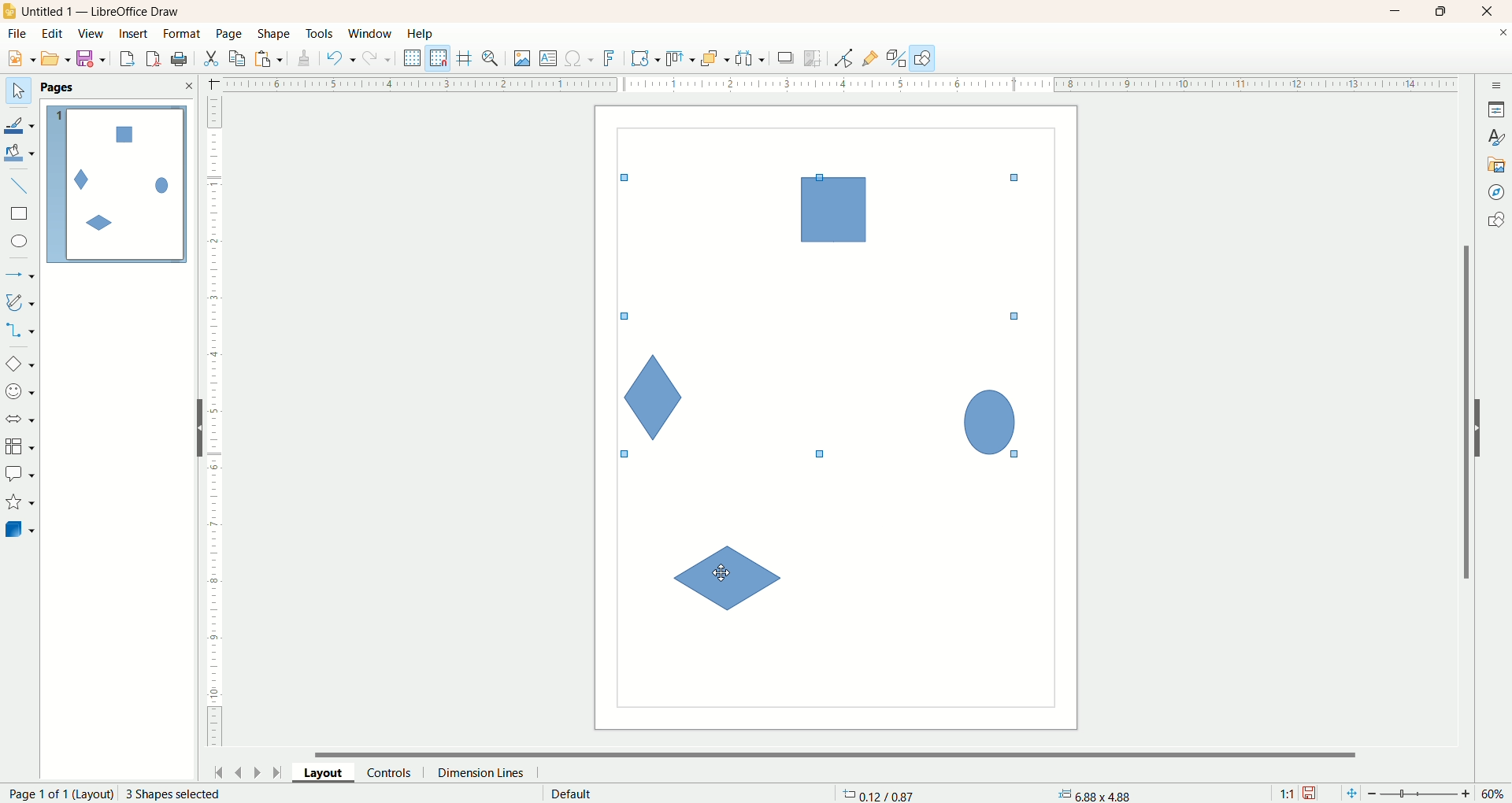 The image size is (1512, 803). I want to click on zoom factor, so click(1421, 794).